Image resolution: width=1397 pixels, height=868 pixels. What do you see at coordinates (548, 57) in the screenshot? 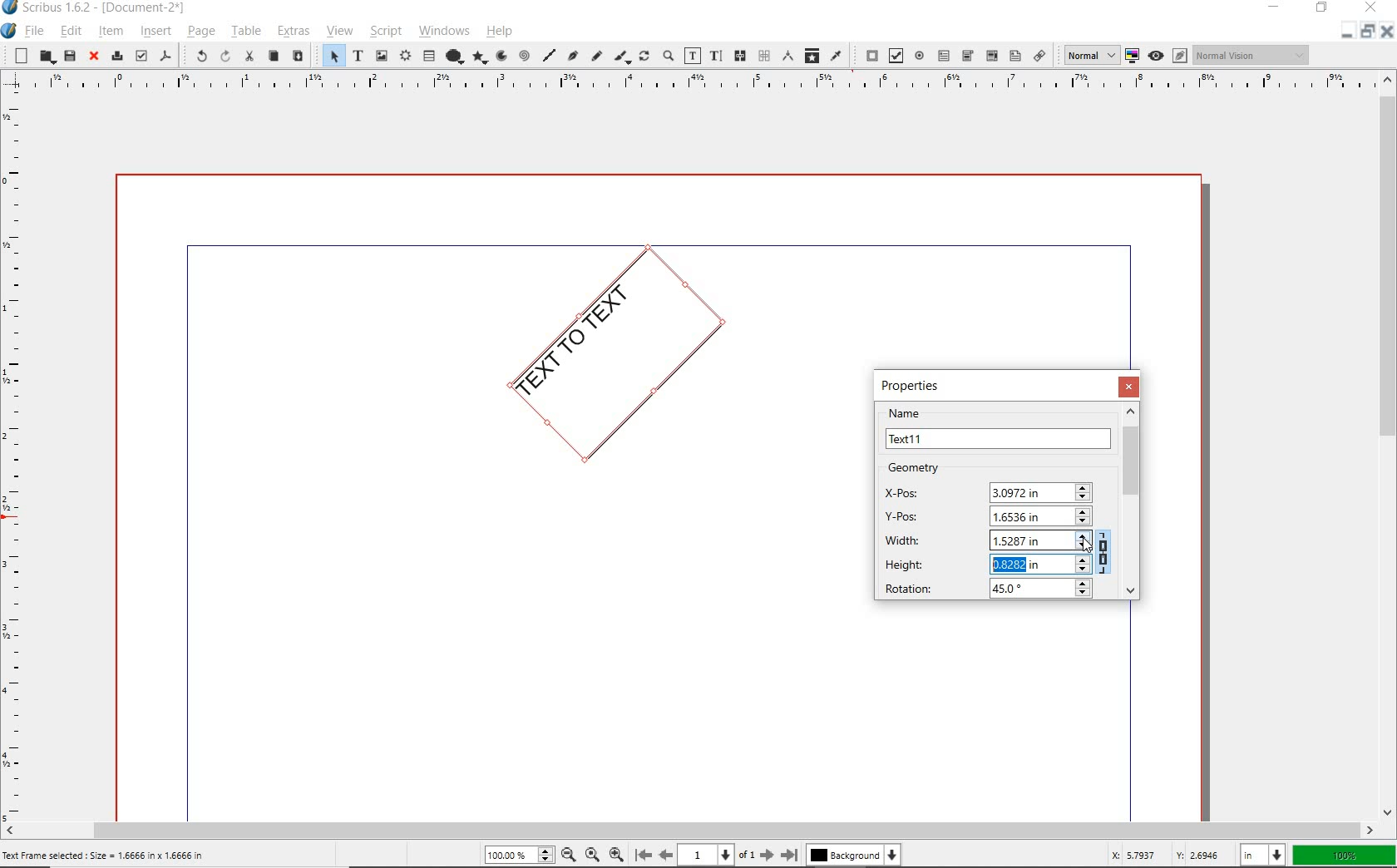
I see `line` at bounding box center [548, 57].